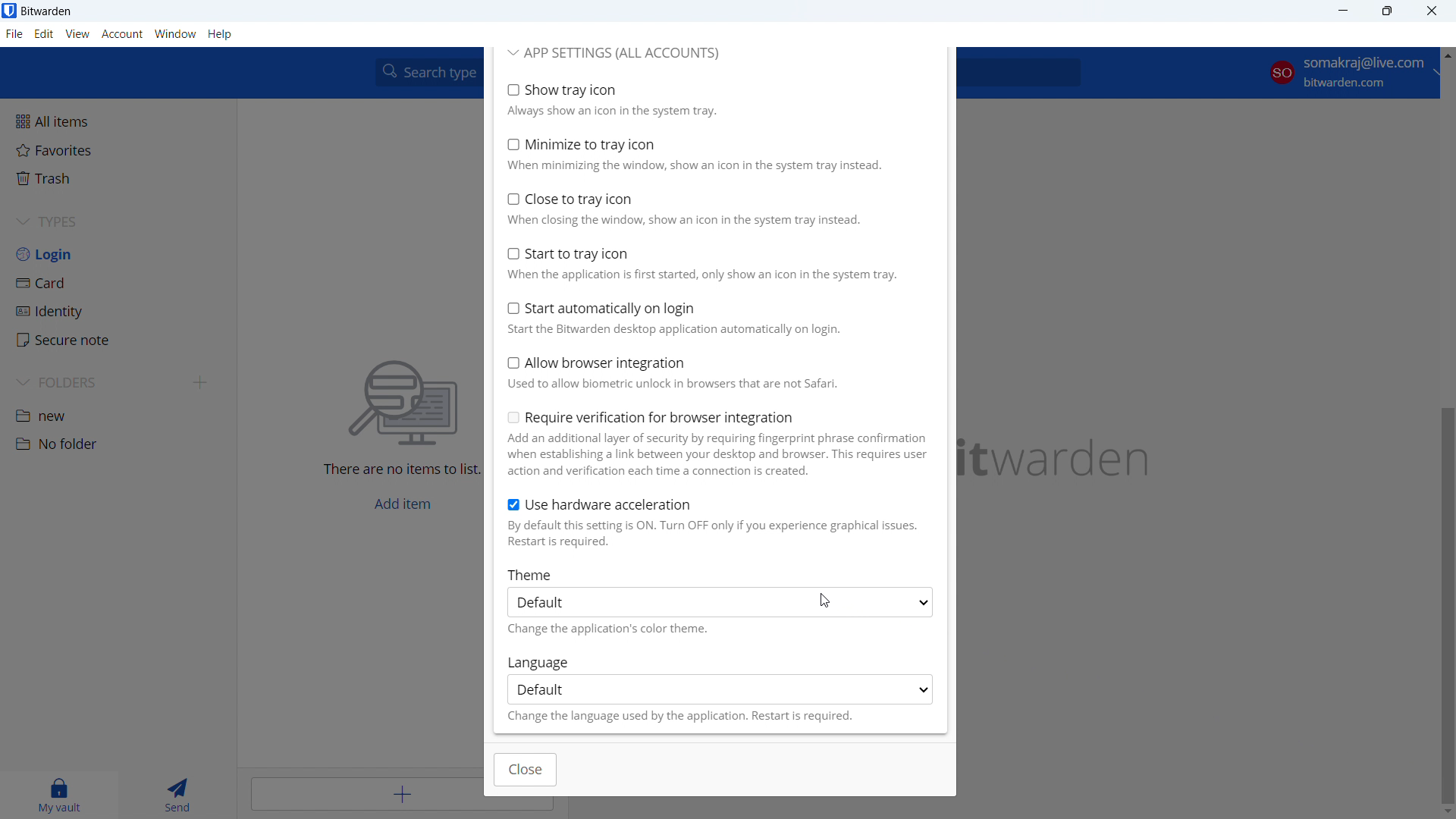 The image size is (1456, 819). I want to click on add item, so click(403, 504).